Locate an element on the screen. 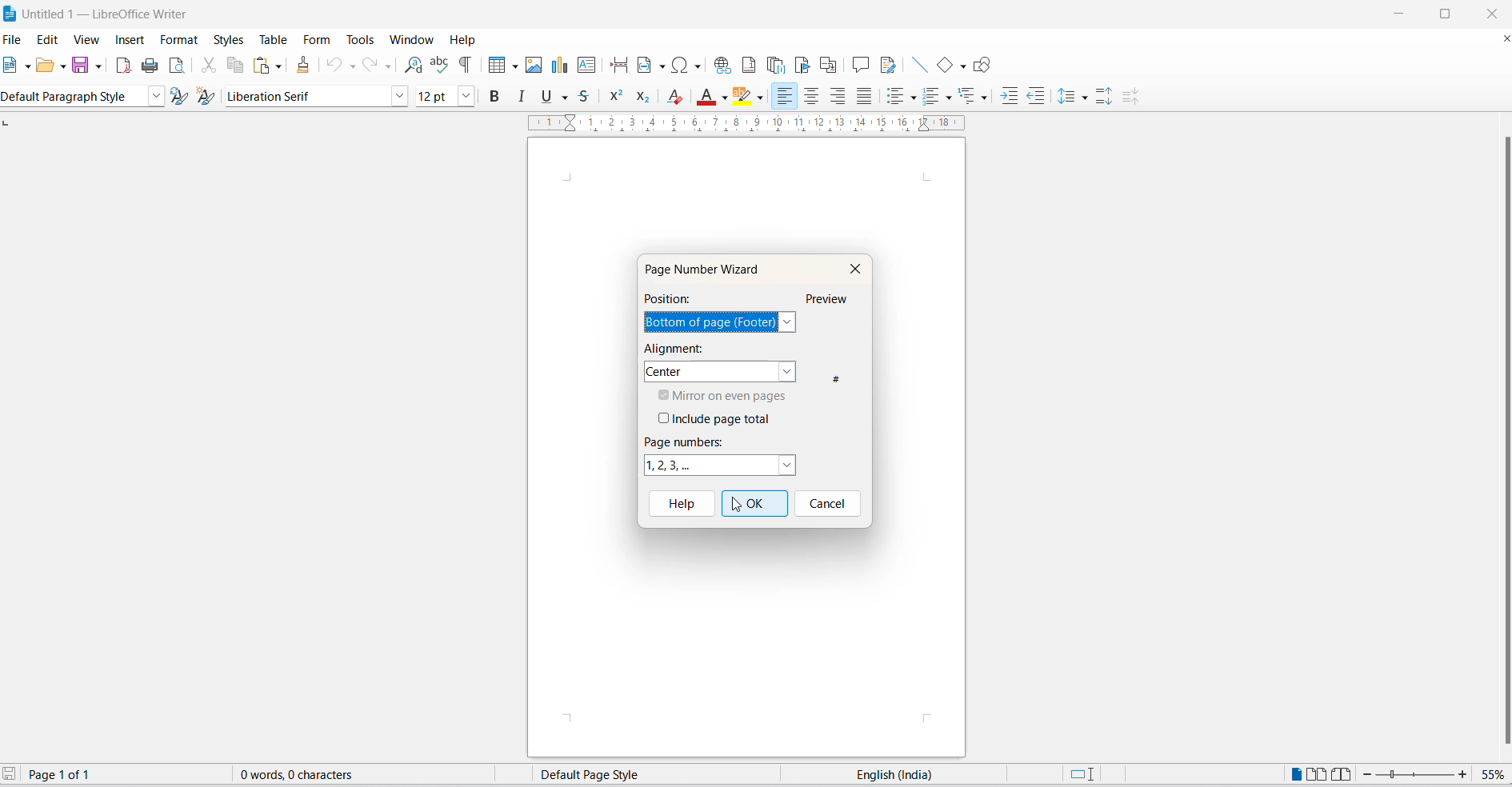 The width and height of the screenshot is (1512, 787). underline  is located at coordinates (544, 98).